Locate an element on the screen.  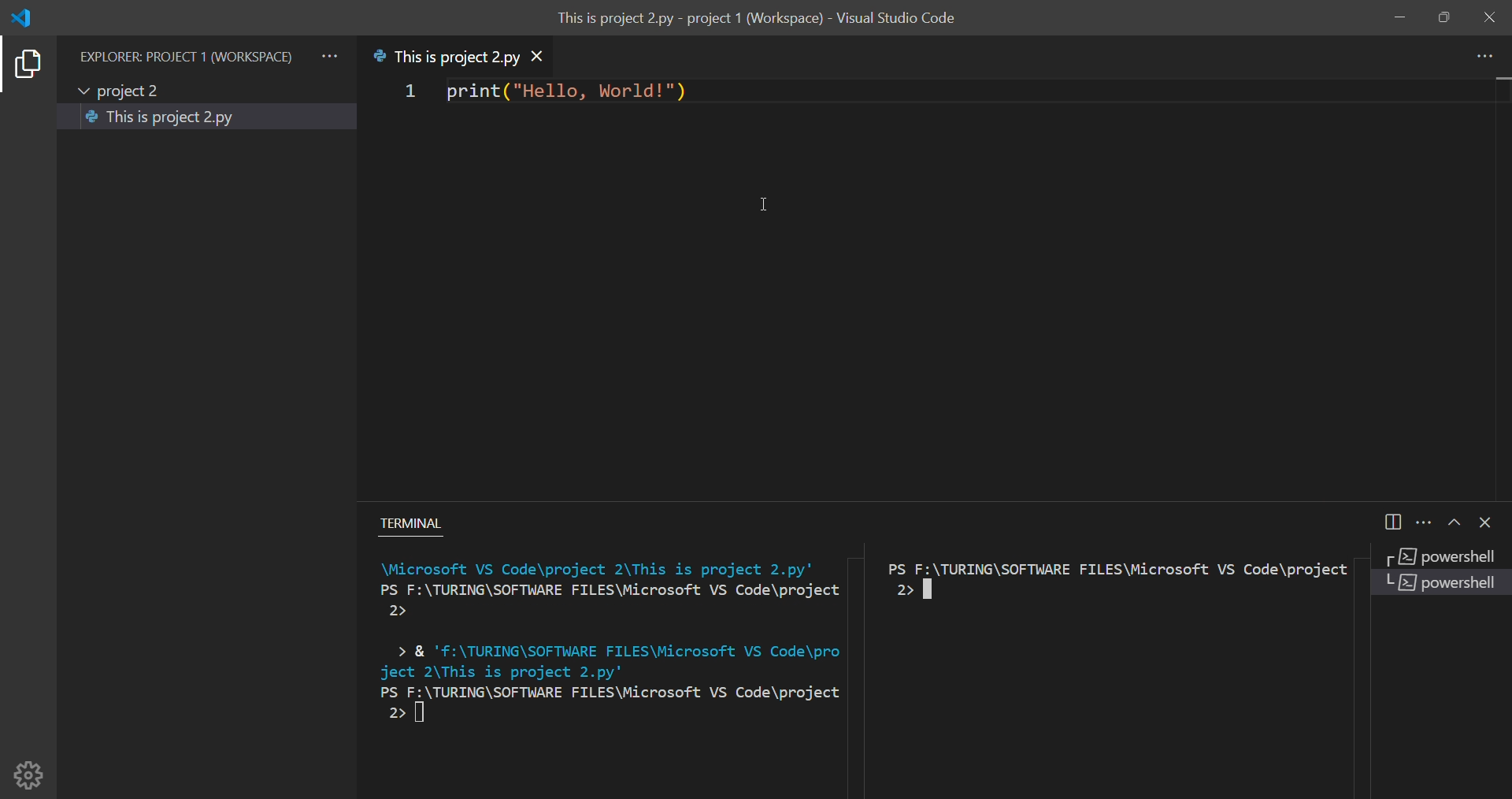
print|("Hello, World!") is located at coordinates (561, 95).